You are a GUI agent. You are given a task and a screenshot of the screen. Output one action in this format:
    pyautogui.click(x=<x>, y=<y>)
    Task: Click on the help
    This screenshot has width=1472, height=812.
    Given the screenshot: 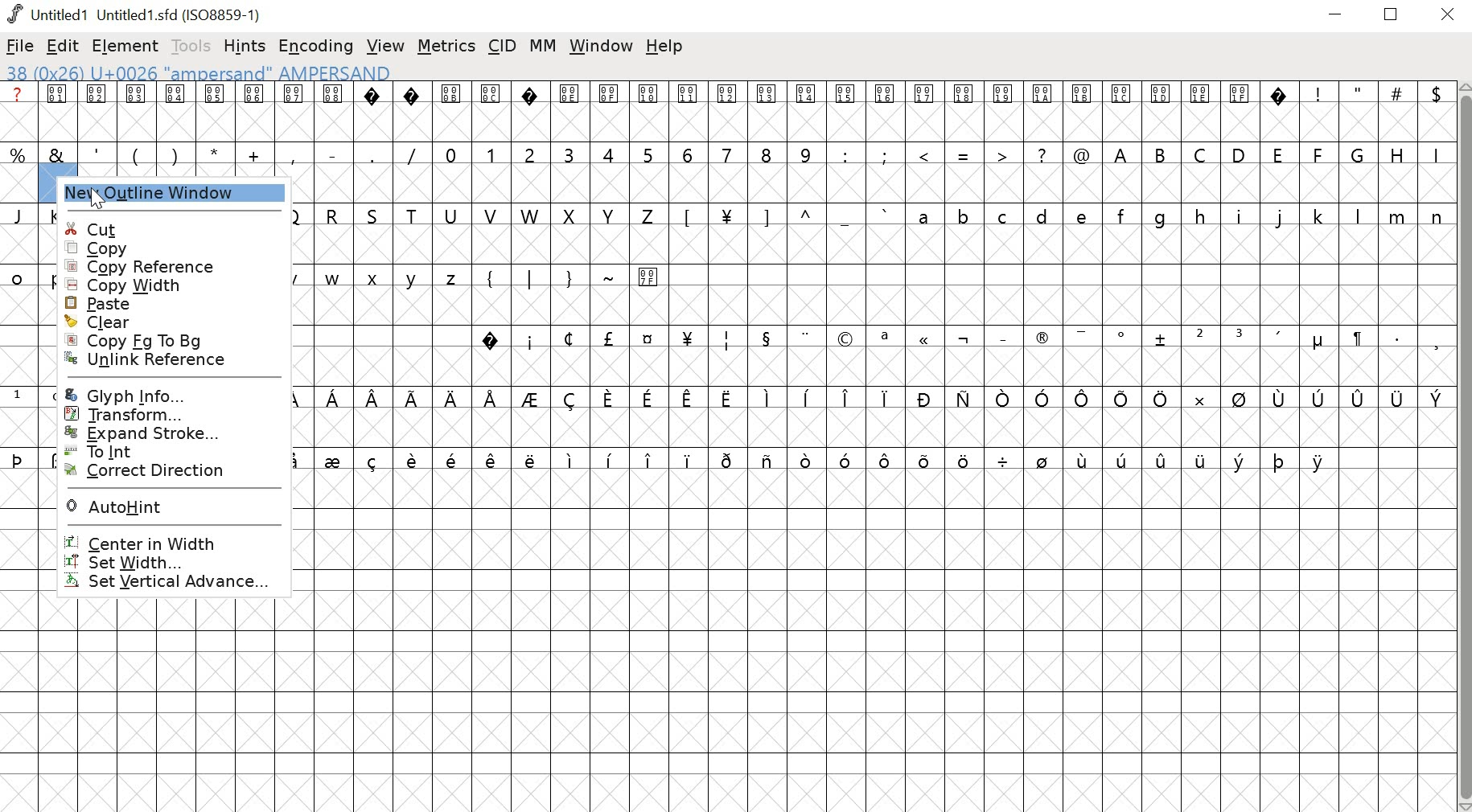 What is the action you would take?
    pyautogui.click(x=667, y=47)
    